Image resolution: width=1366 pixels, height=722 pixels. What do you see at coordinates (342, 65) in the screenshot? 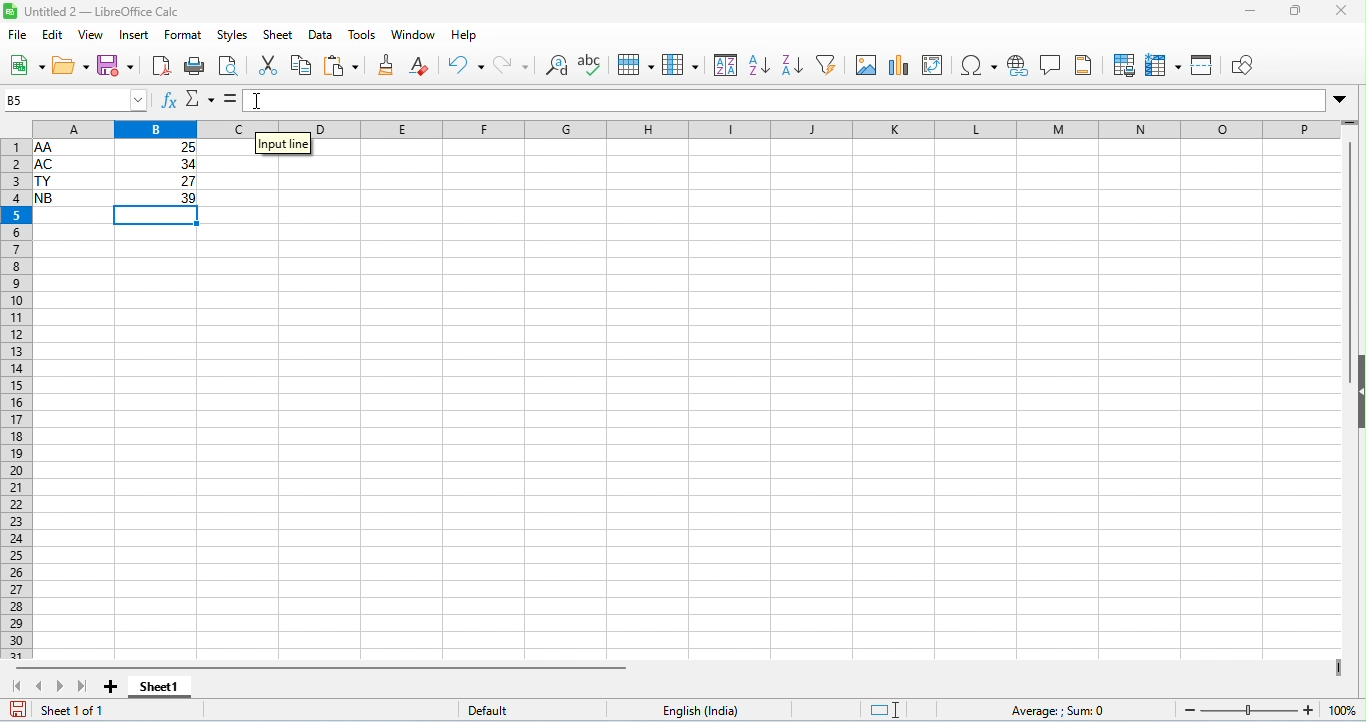
I see `paste` at bounding box center [342, 65].